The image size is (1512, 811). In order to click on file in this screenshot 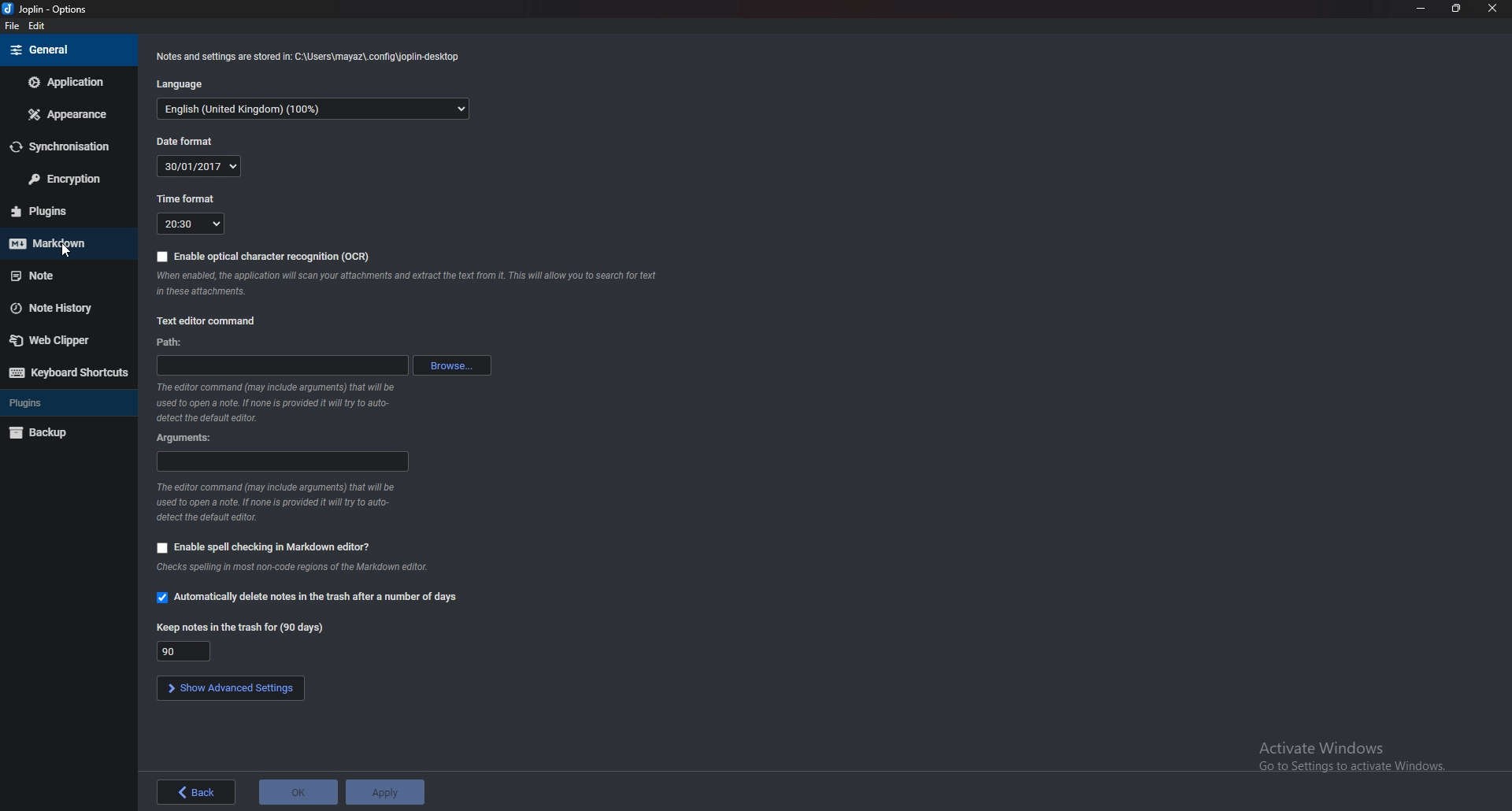, I will do `click(13, 25)`.